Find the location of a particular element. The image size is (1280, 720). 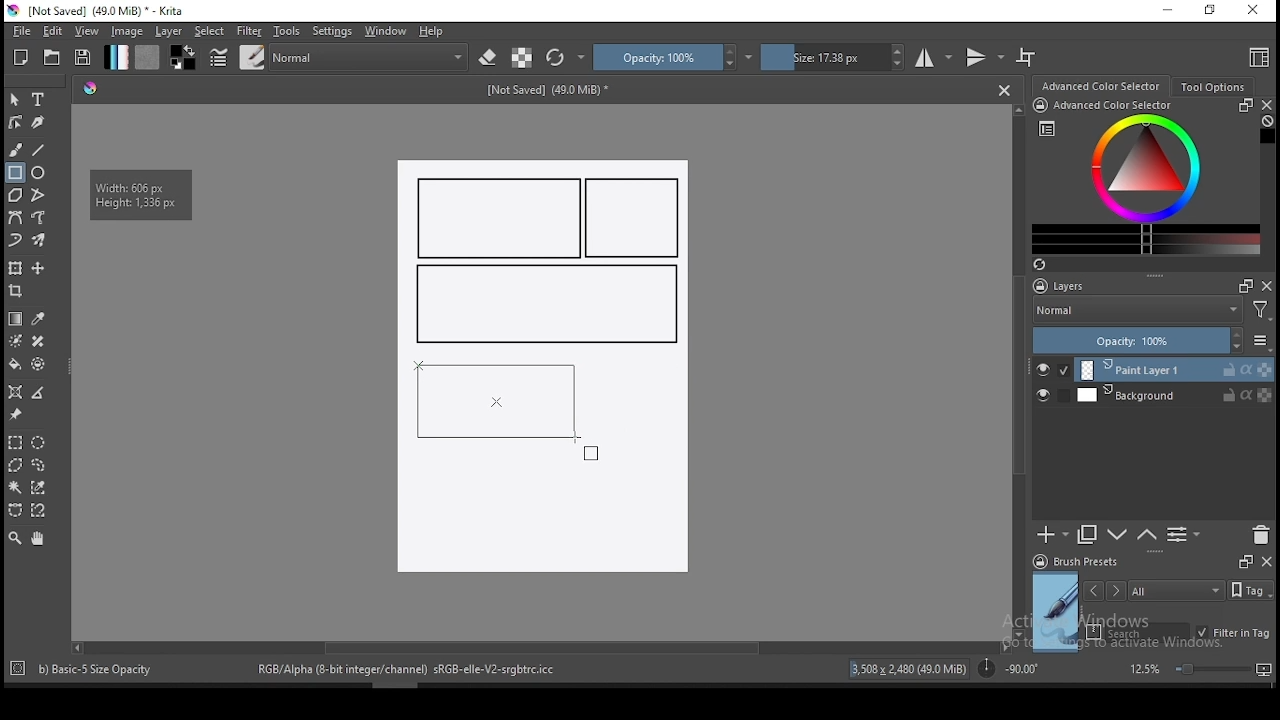

new layer is located at coordinates (1053, 534).